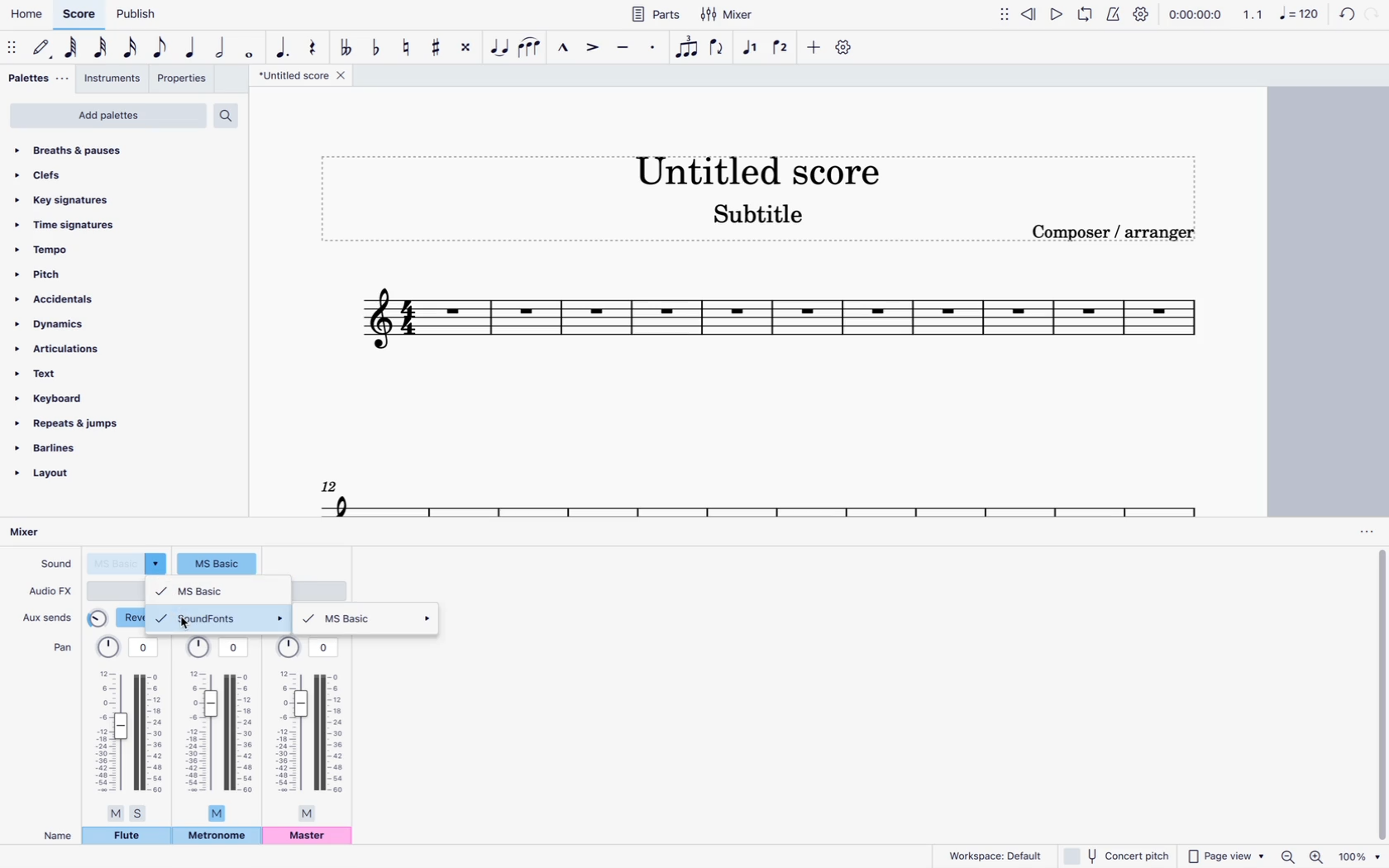  What do you see at coordinates (49, 614) in the screenshot?
I see `aux sends` at bounding box center [49, 614].